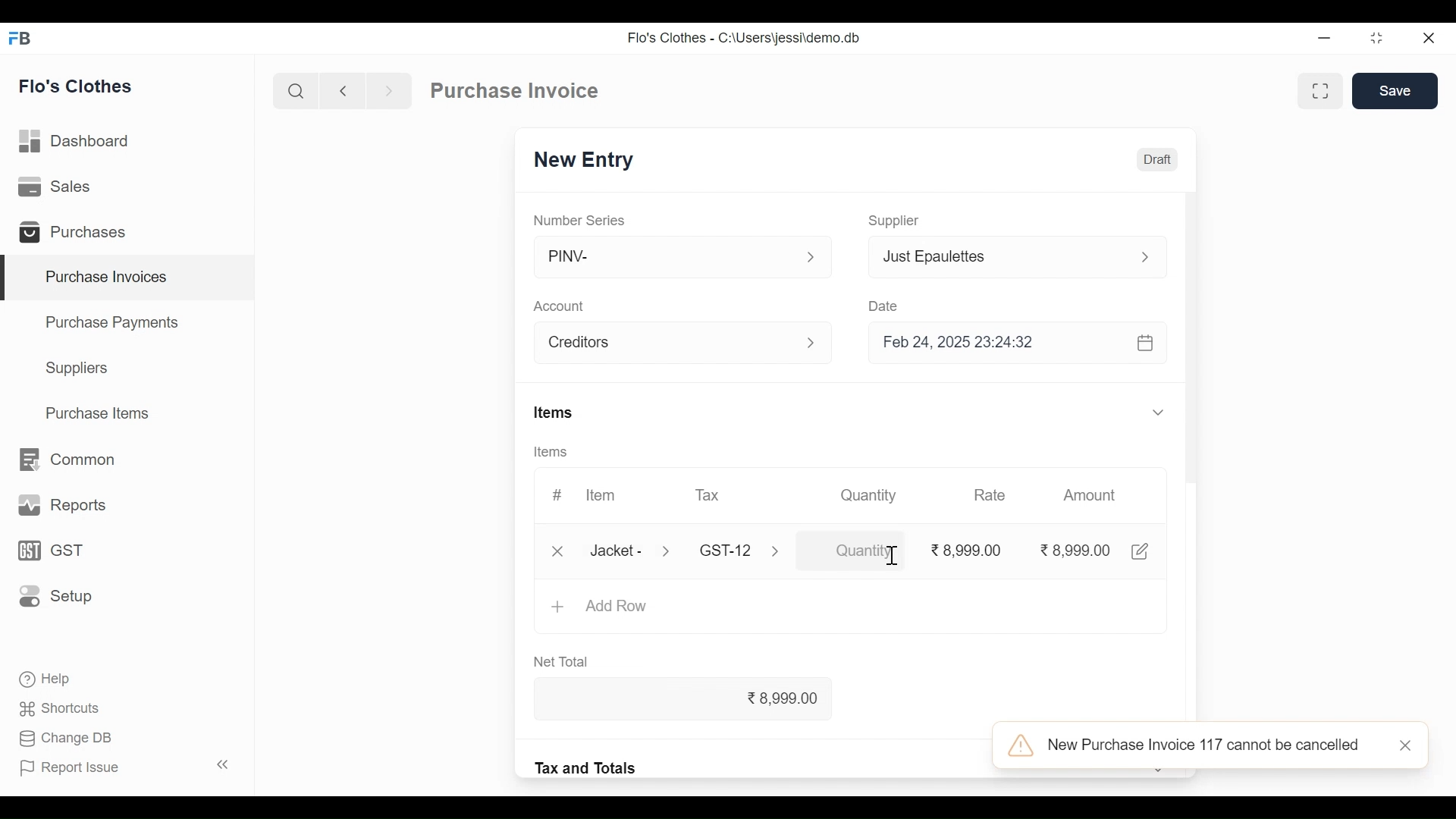  I want to click on Search, so click(297, 90).